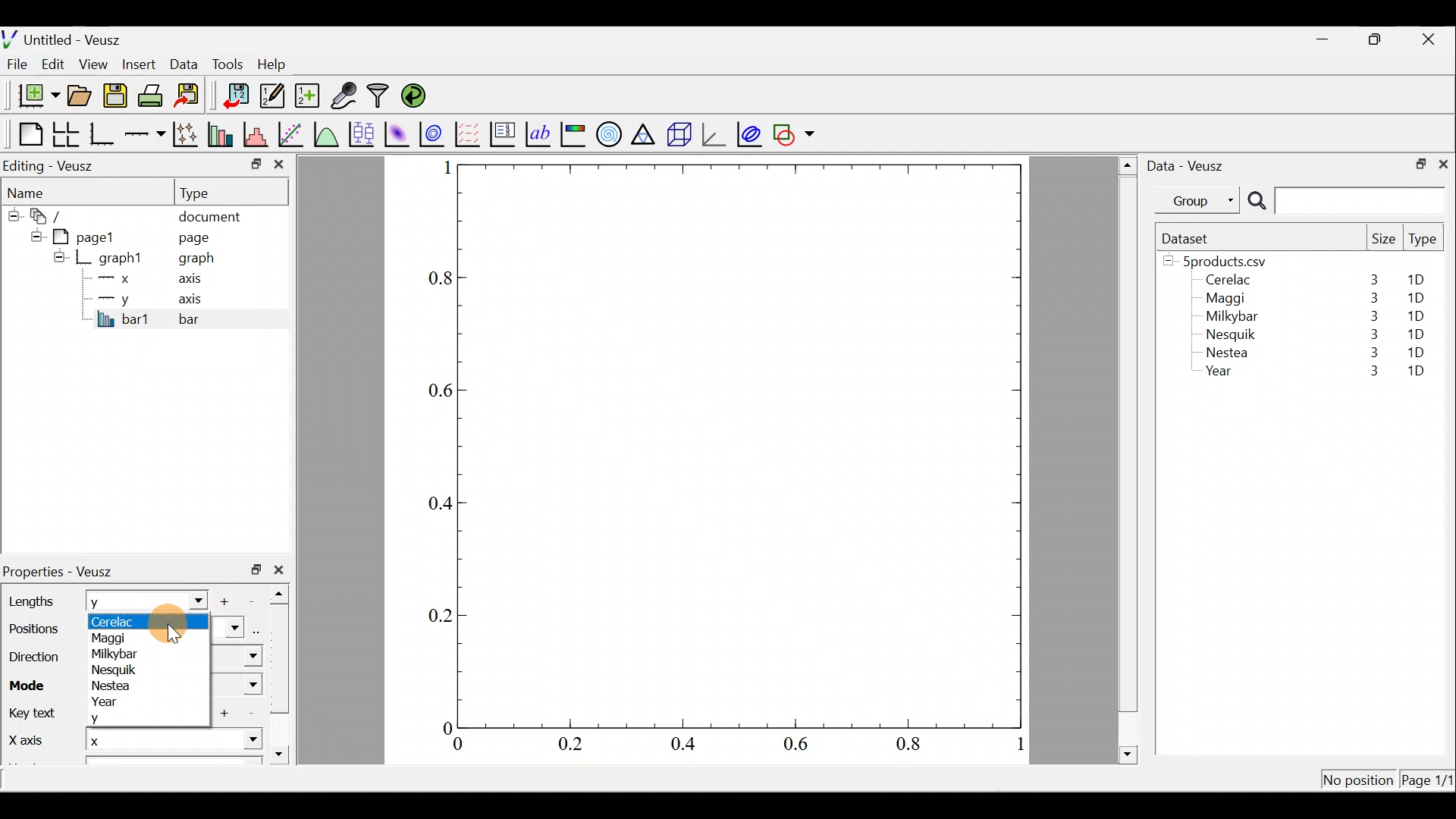 The image size is (1456, 819). I want to click on Plot a vector field, so click(470, 134).